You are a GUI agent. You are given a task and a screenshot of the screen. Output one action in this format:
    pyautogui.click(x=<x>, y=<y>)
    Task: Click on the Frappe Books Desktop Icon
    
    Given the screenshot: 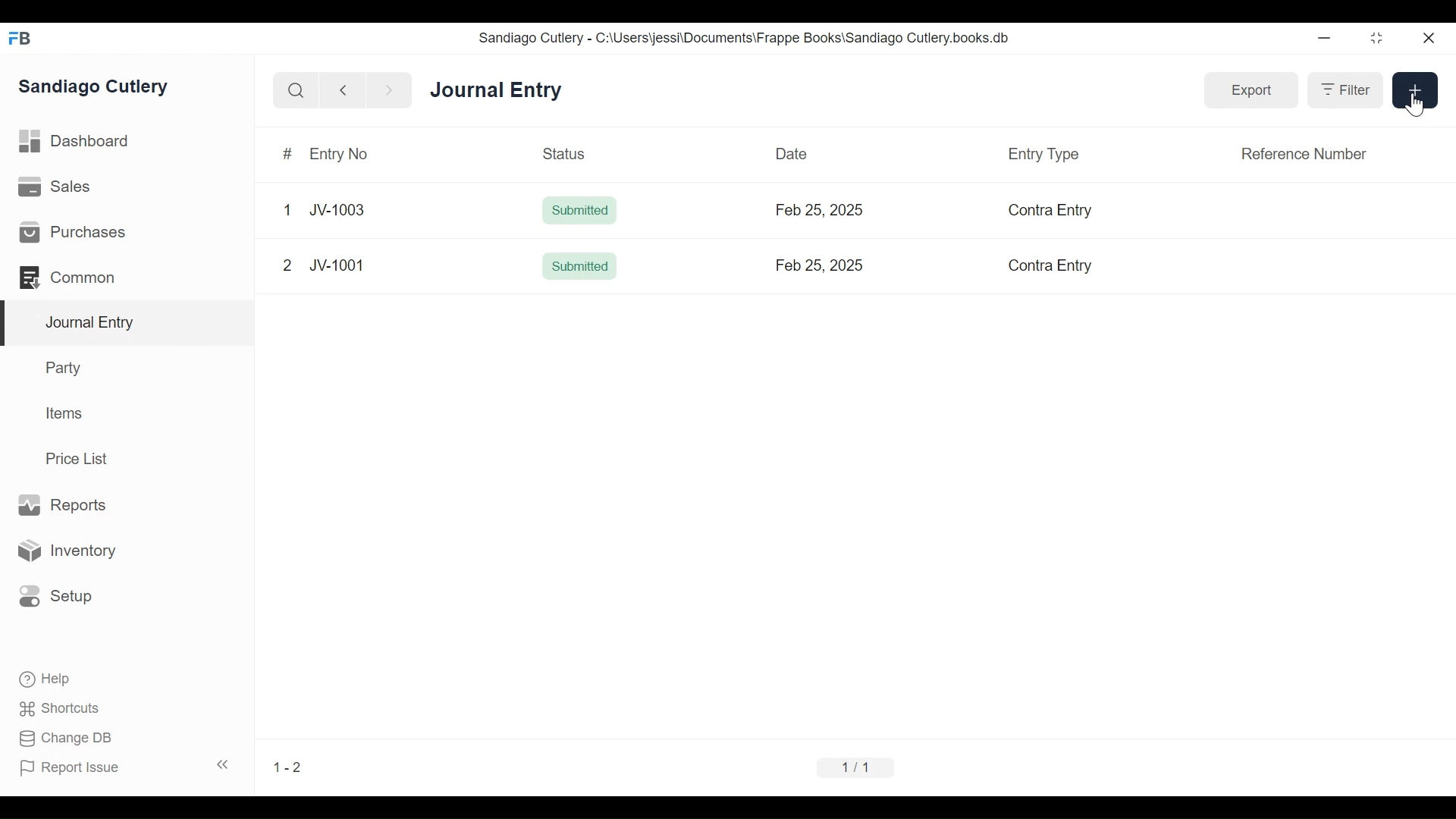 What is the action you would take?
    pyautogui.click(x=20, y=39)
    